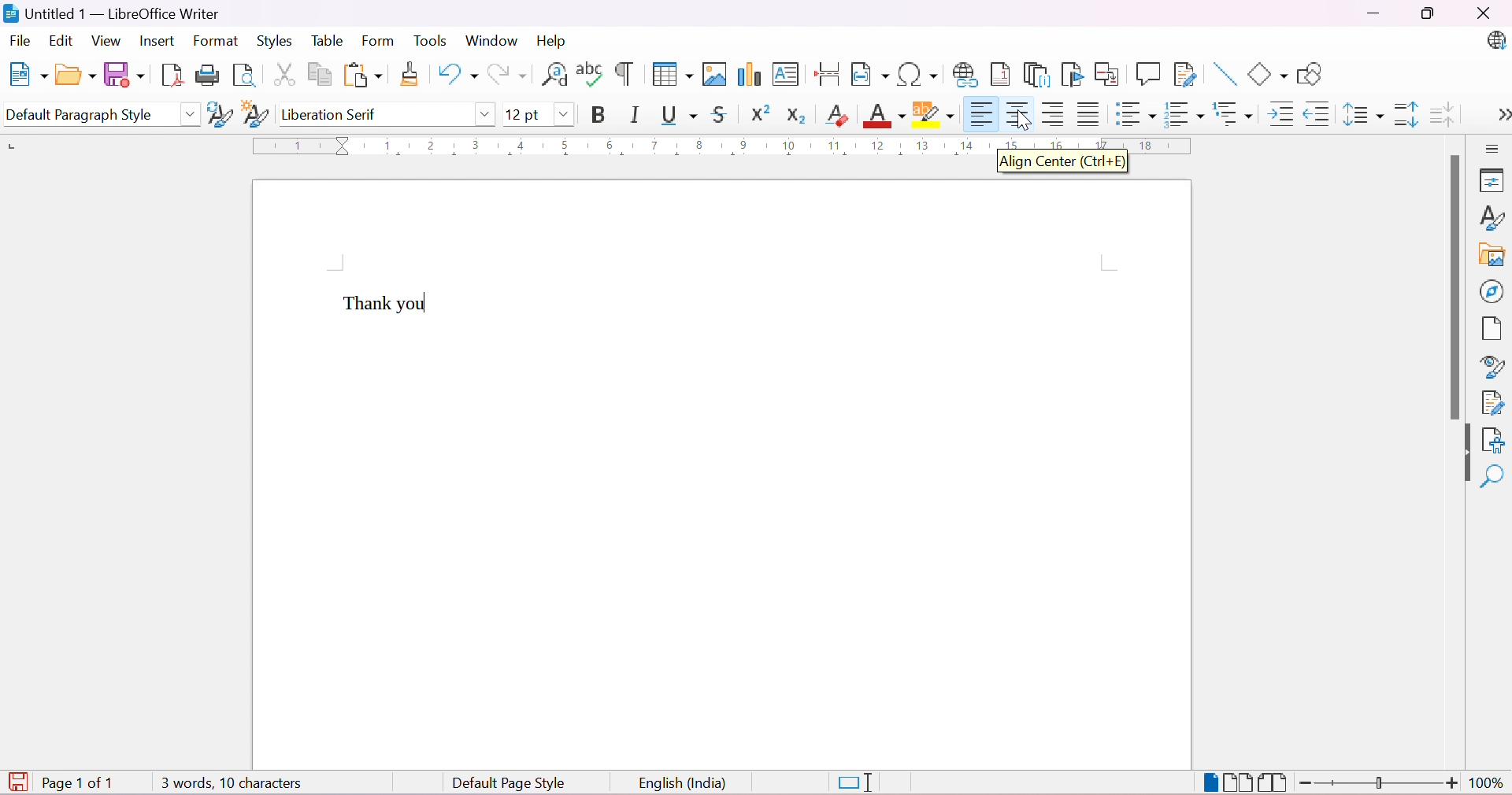 Image resolution: width=1512 pixels, height=795 pixels. What do you see at coordinates (1372, 14) in the screenshot?
I see `Minimize` at bounding box center [1372, 14].